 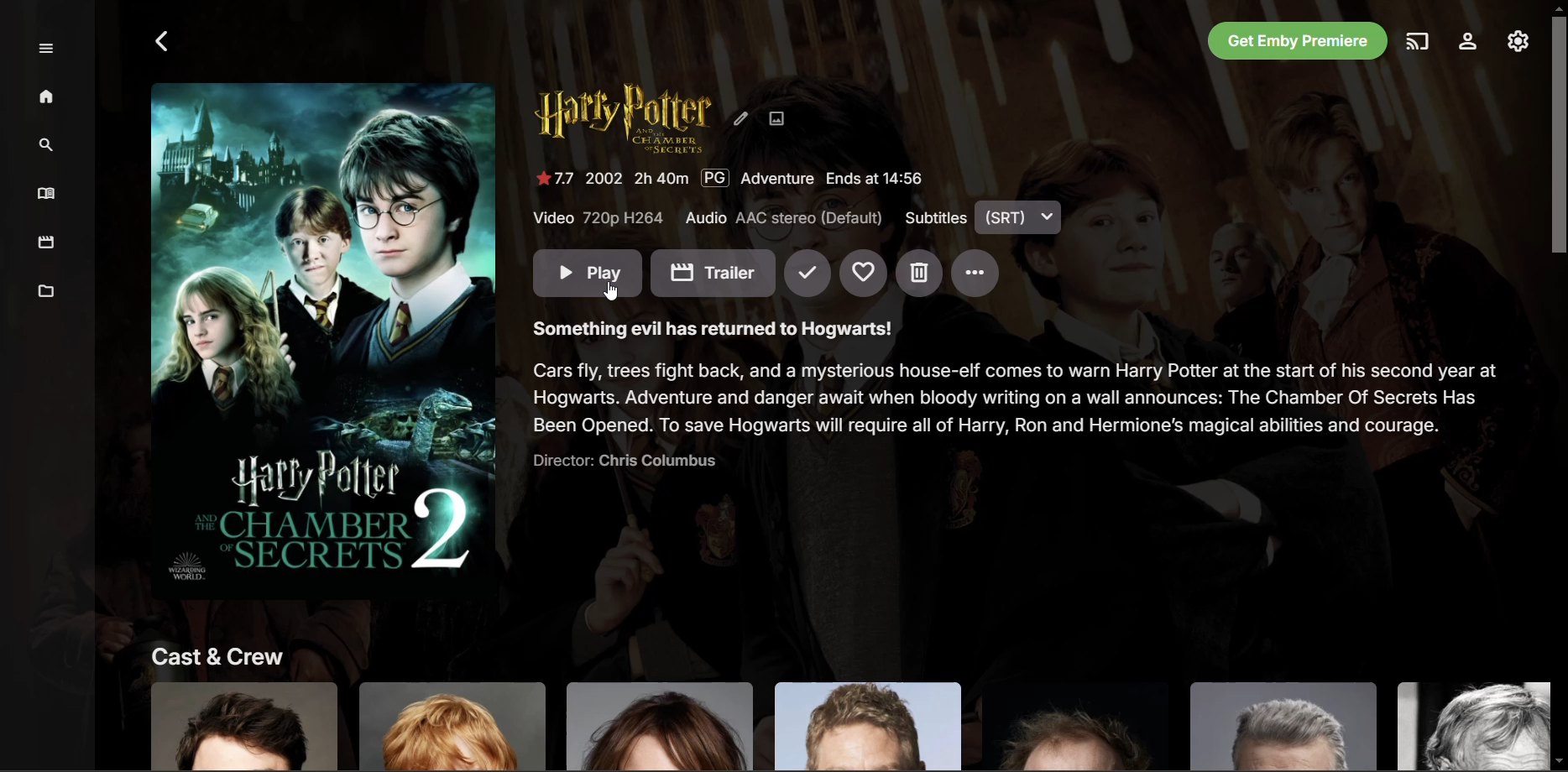 I want to click on Books, so click(x=50, y=194).